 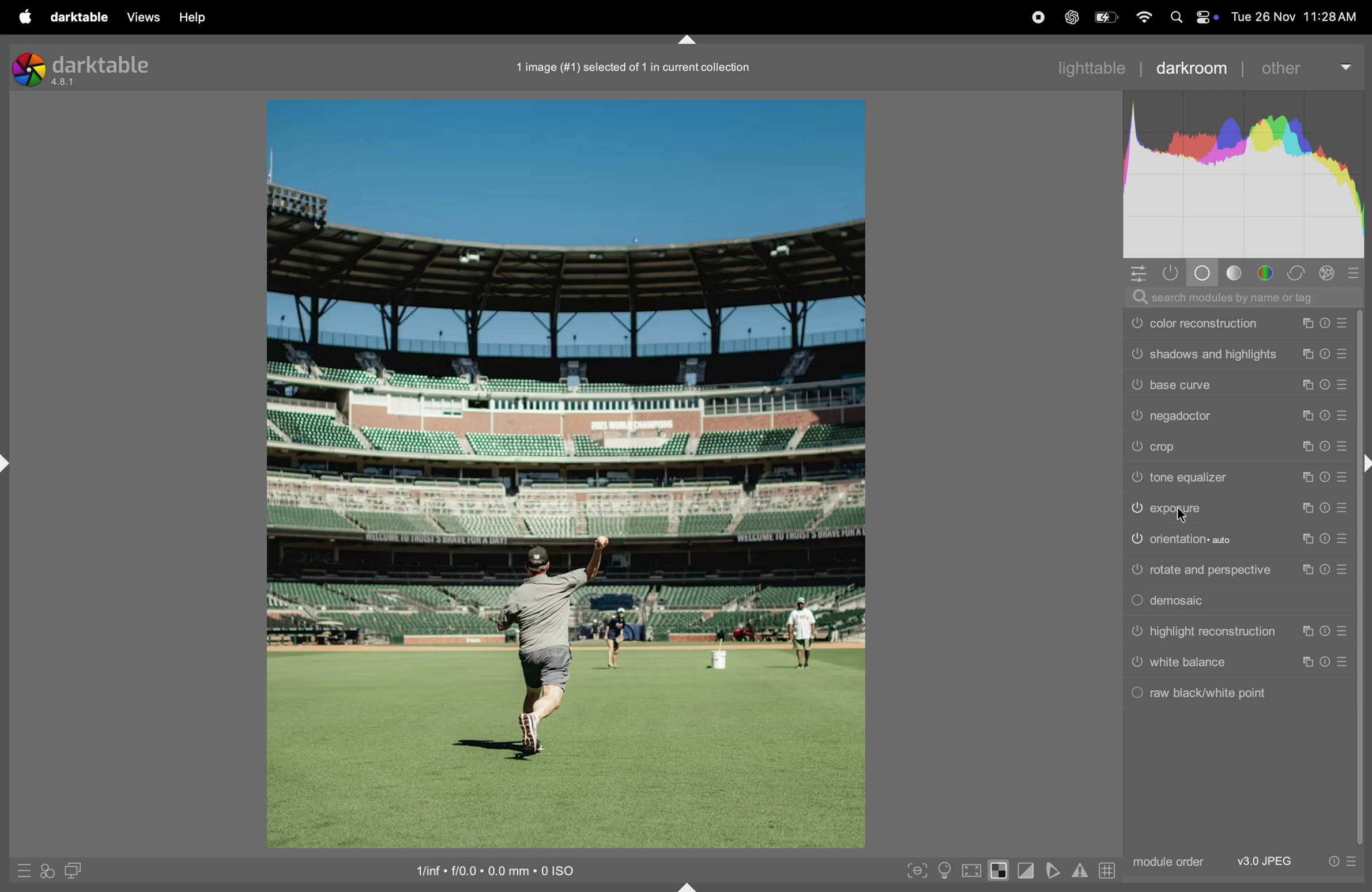 What do you see at coordinates (1342, 477) in the screenshot?
I see `Presets ` at bounding box center [1342, 477].